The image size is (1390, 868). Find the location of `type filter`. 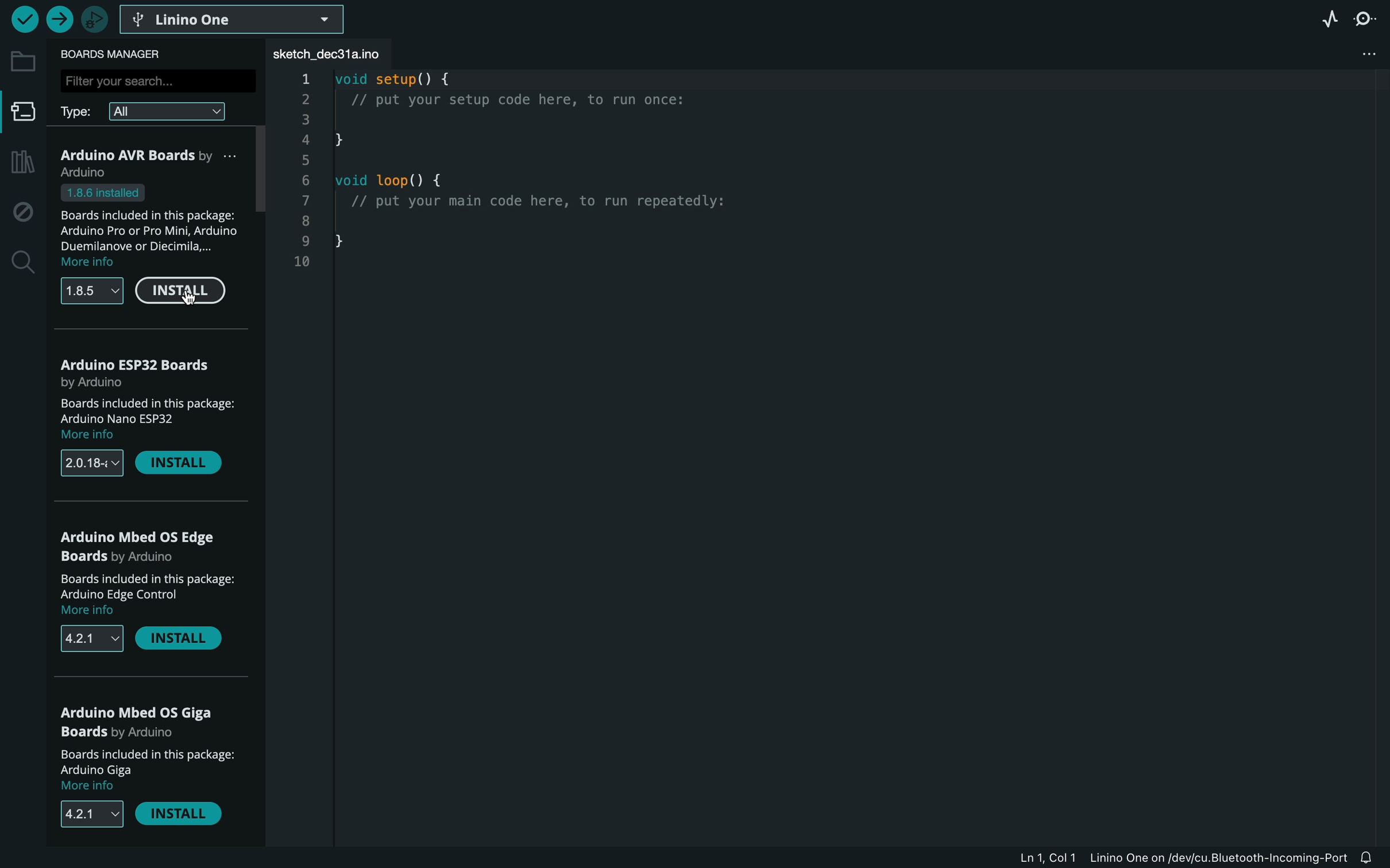

type filter is located at coordinates (153, 110).